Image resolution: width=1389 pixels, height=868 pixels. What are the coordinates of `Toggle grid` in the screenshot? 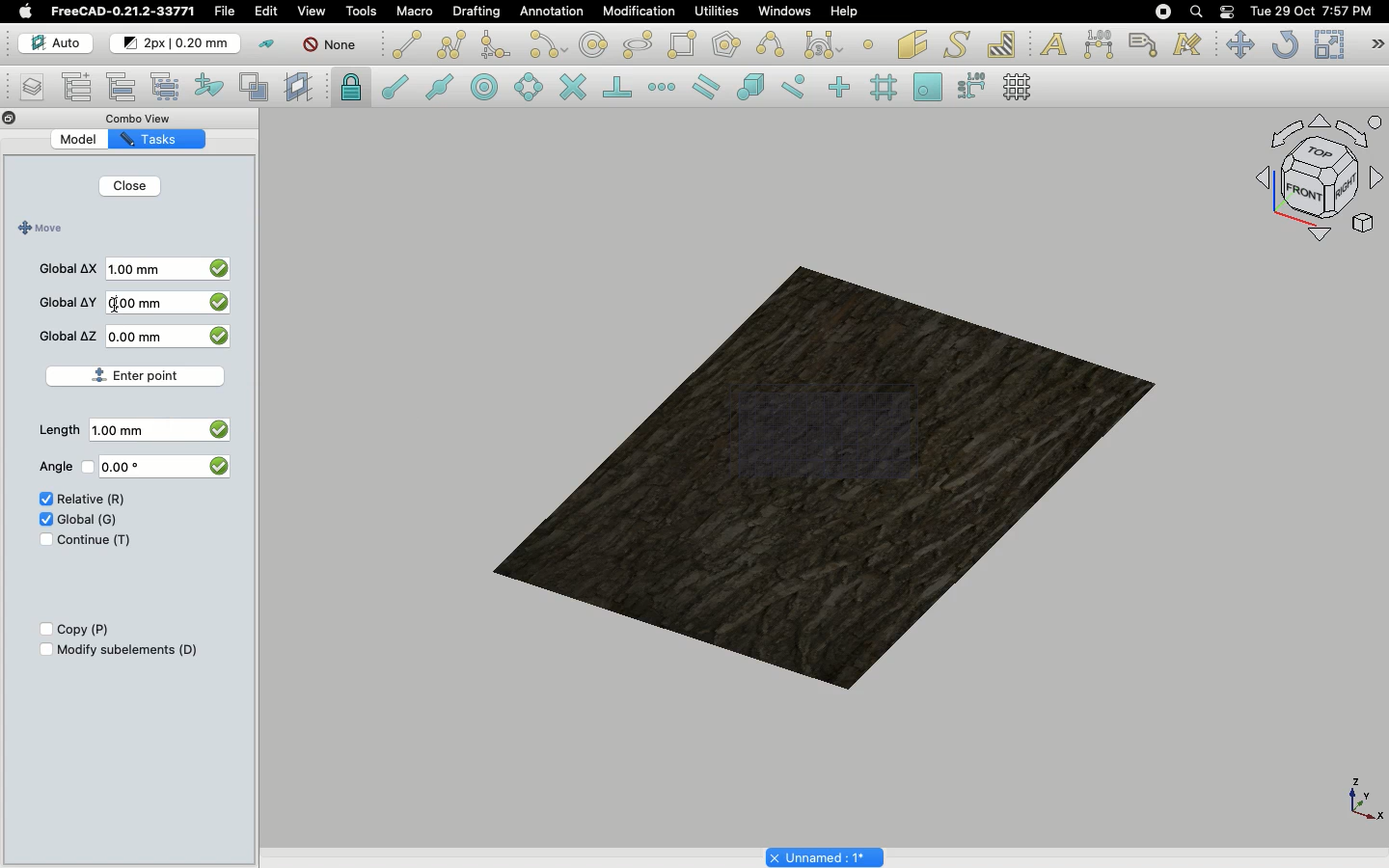 It's located at (1019, 87).